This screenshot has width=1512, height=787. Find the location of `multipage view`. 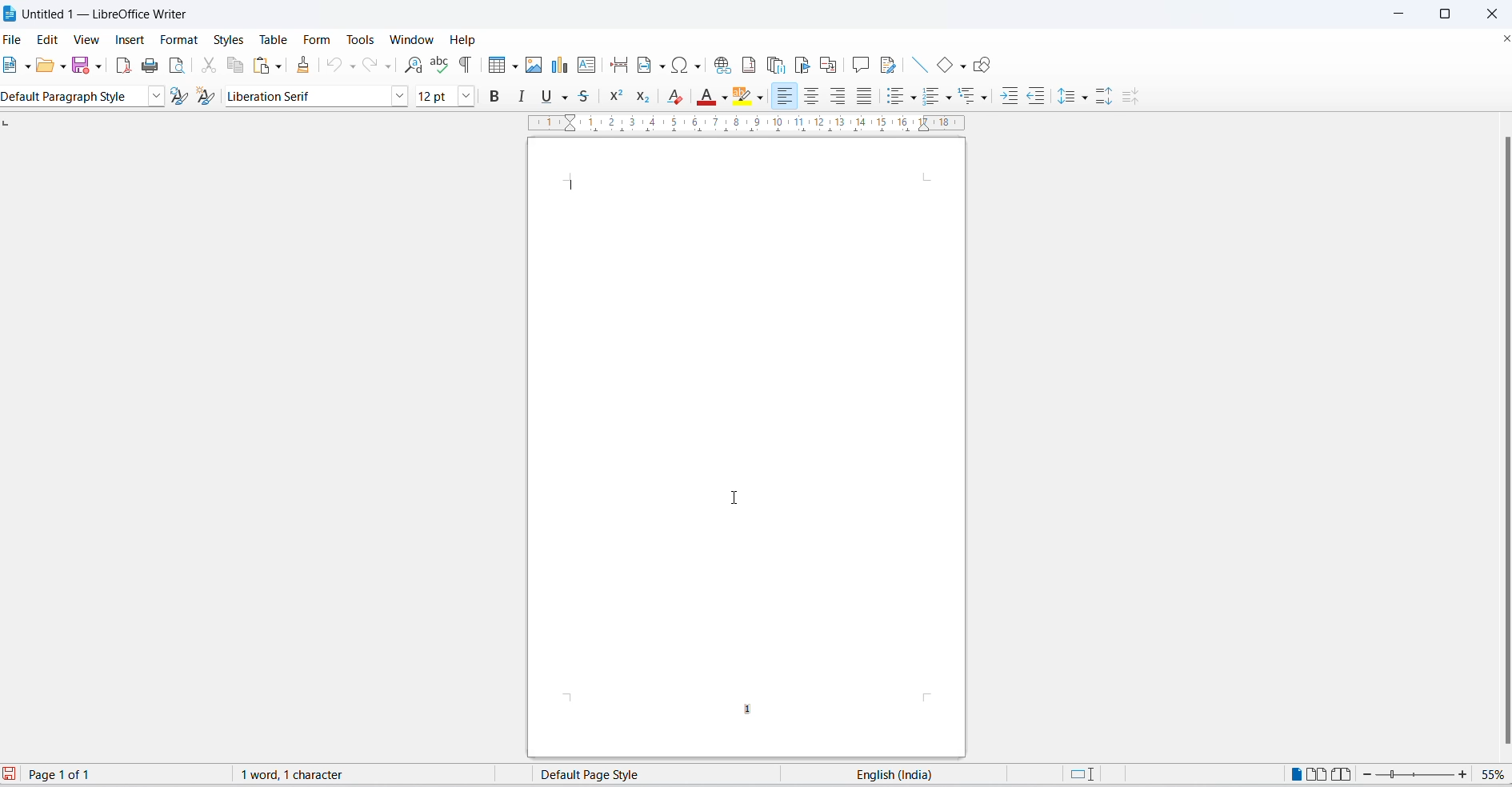

multipage view is located at coordinates (1318, 775).